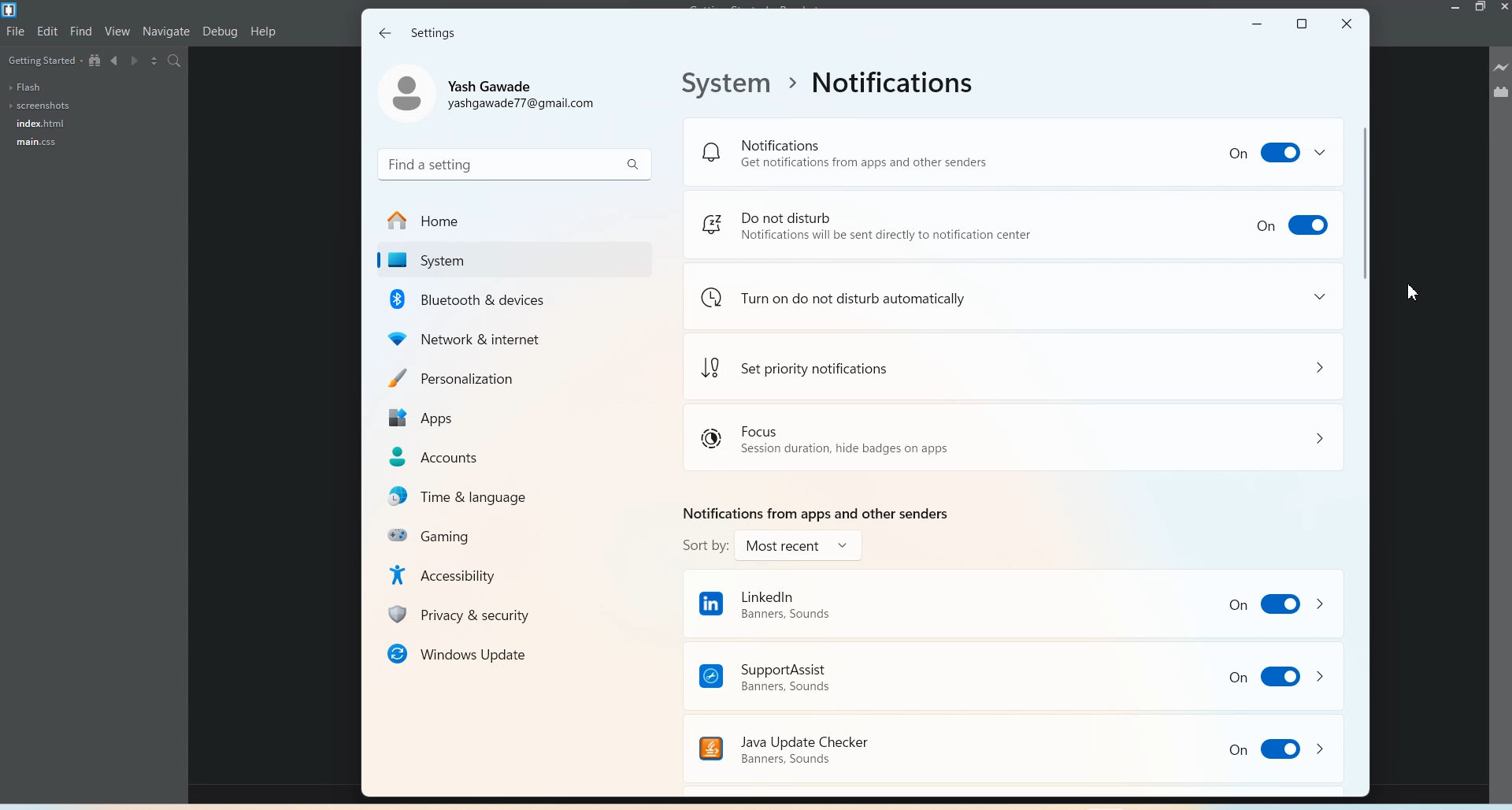 The width and height of the screenshot is (1512, 810). What do you see at coordinates (45, 61) in the screenshot?
I see `Getting Started` at bounding box center [45, 61].